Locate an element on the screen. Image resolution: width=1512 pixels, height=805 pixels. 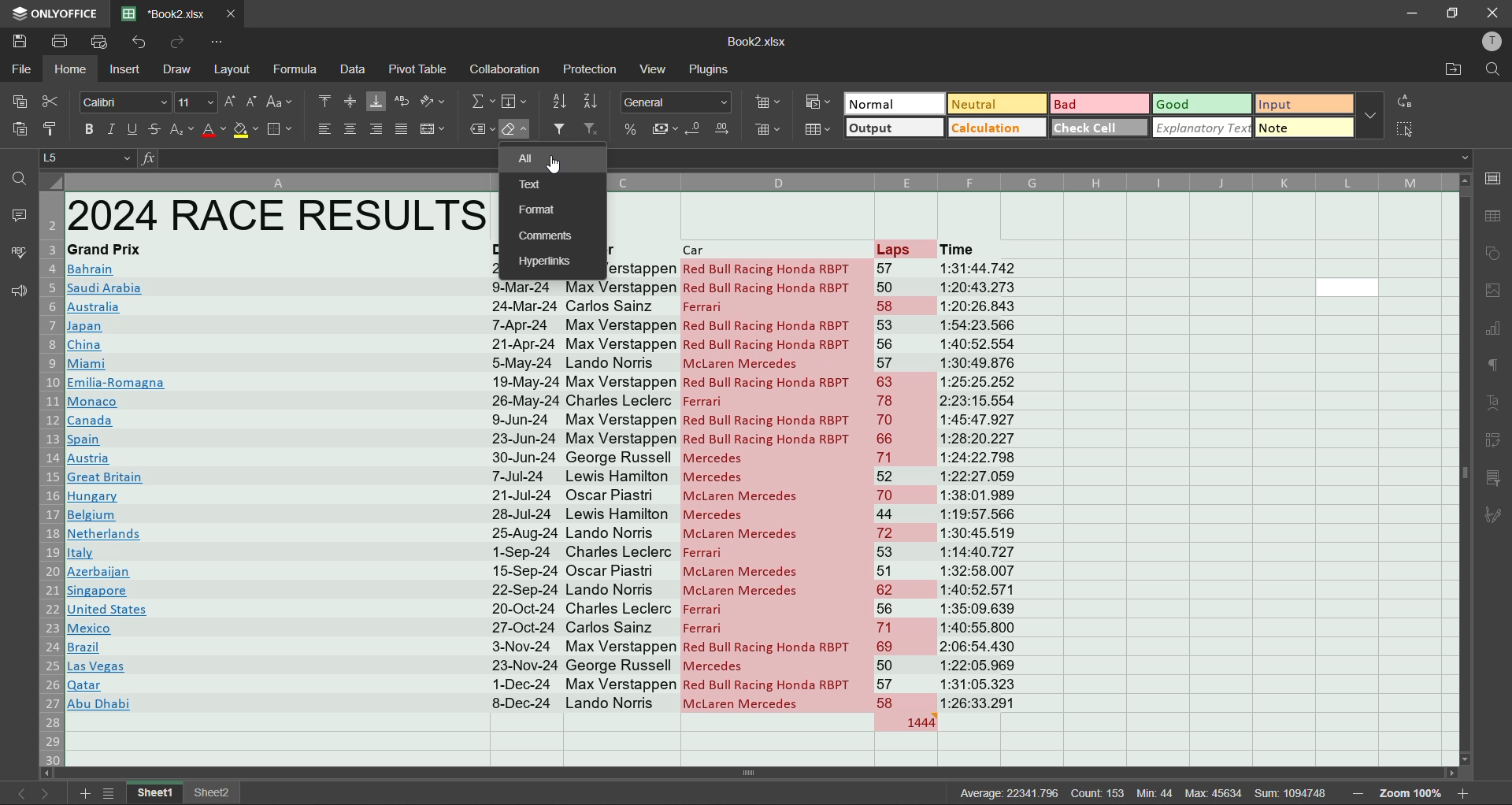
align bottom is located at coordinates (375, 98).